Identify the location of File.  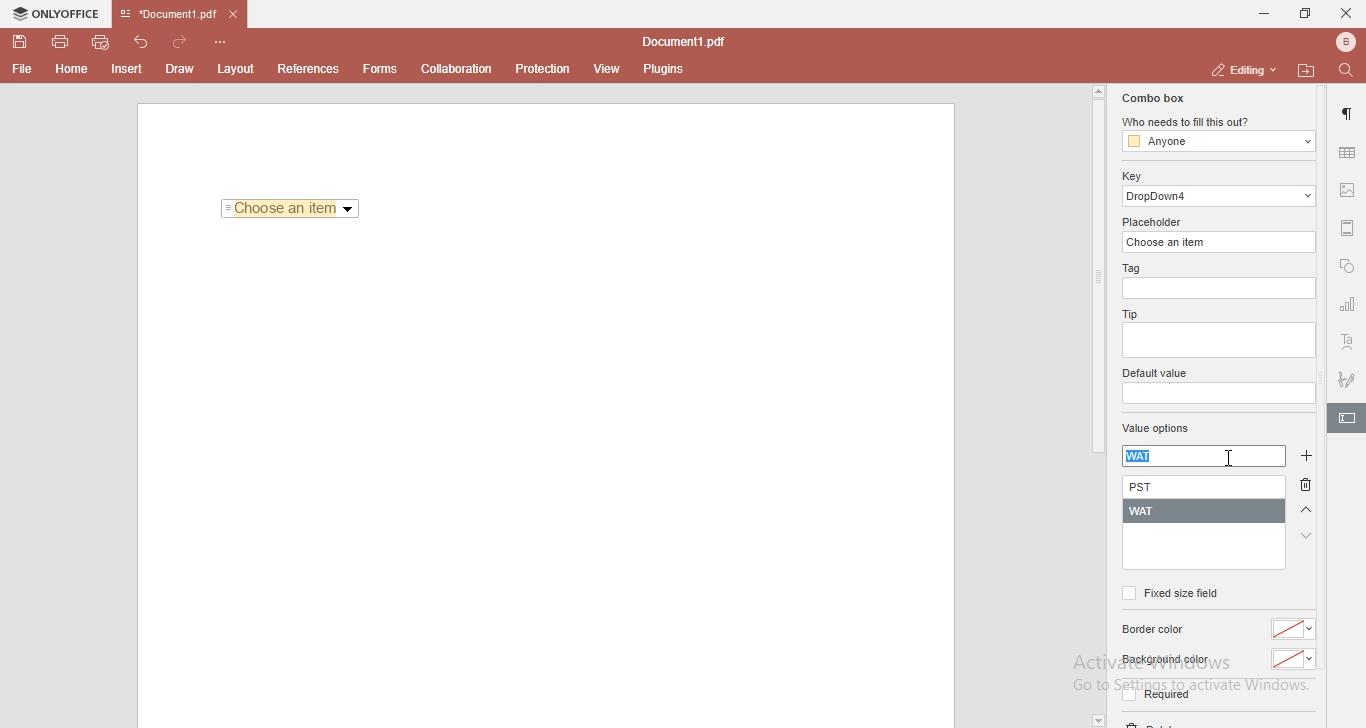
(20, 69).